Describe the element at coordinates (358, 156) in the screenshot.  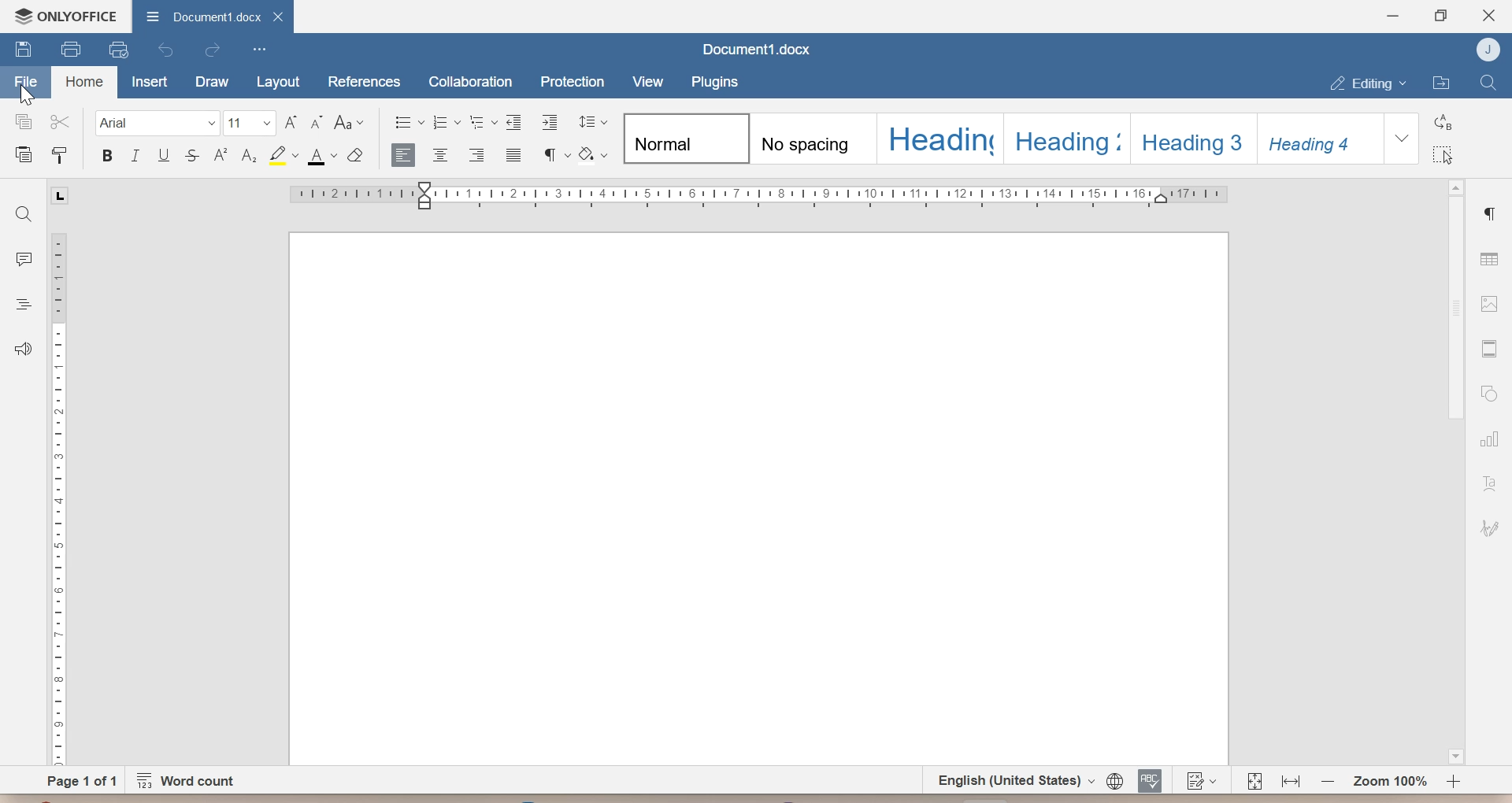
I see `Clear style` at that location.